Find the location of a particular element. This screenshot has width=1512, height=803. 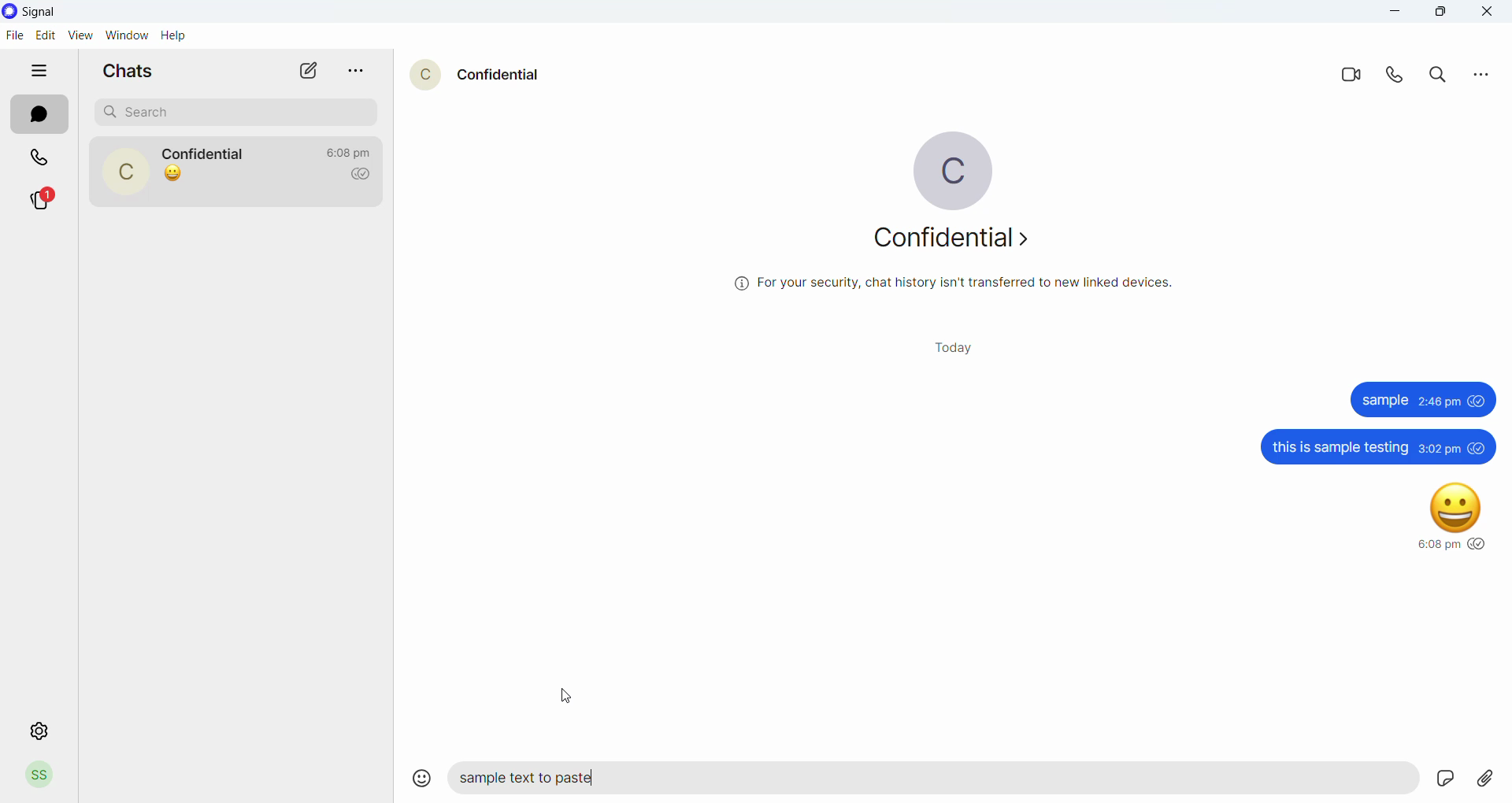

calls is located at coordinates (41, 160).